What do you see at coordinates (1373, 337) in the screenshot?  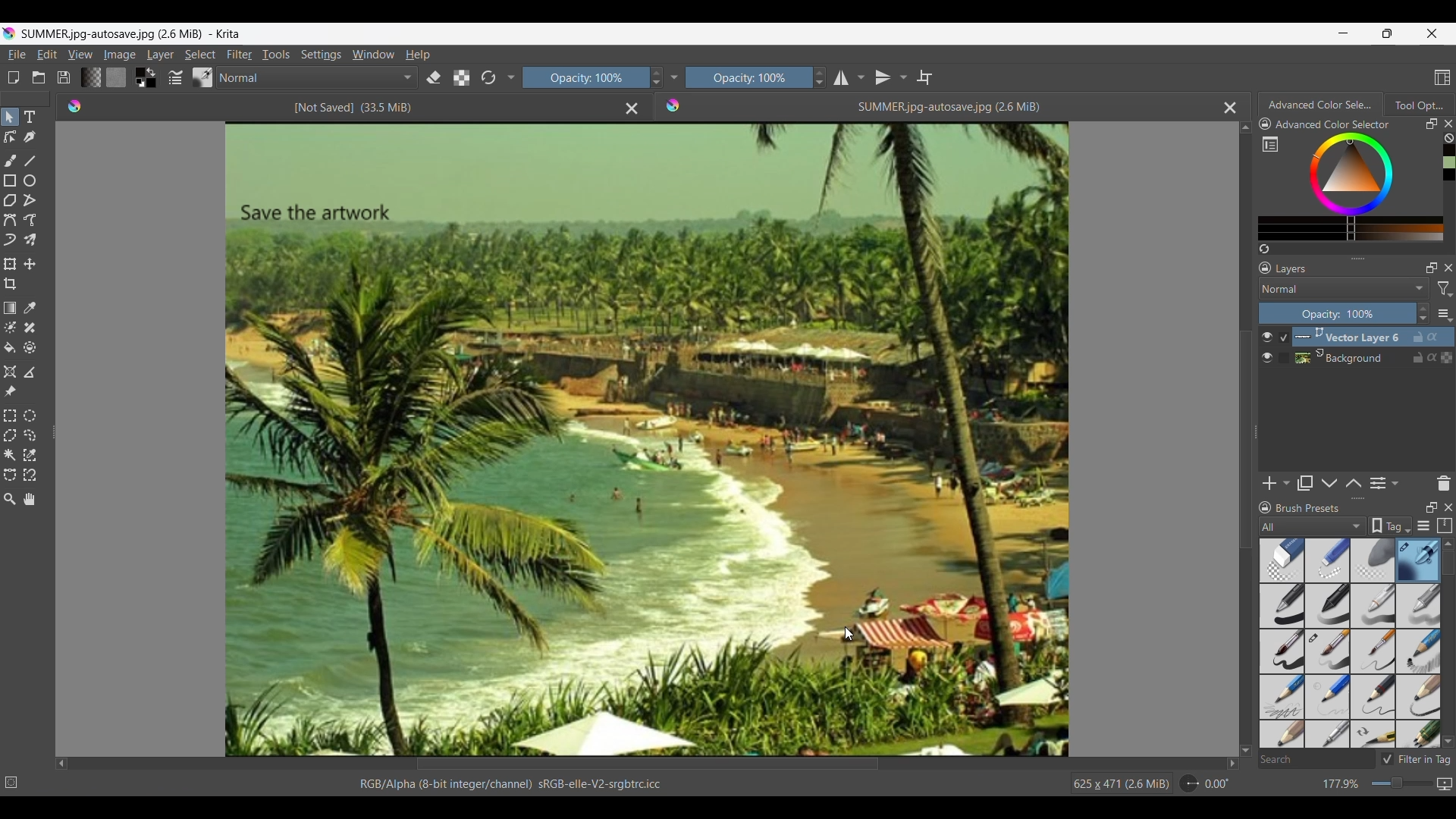 I see `Vector layer` at bounding box center [1373, 337].